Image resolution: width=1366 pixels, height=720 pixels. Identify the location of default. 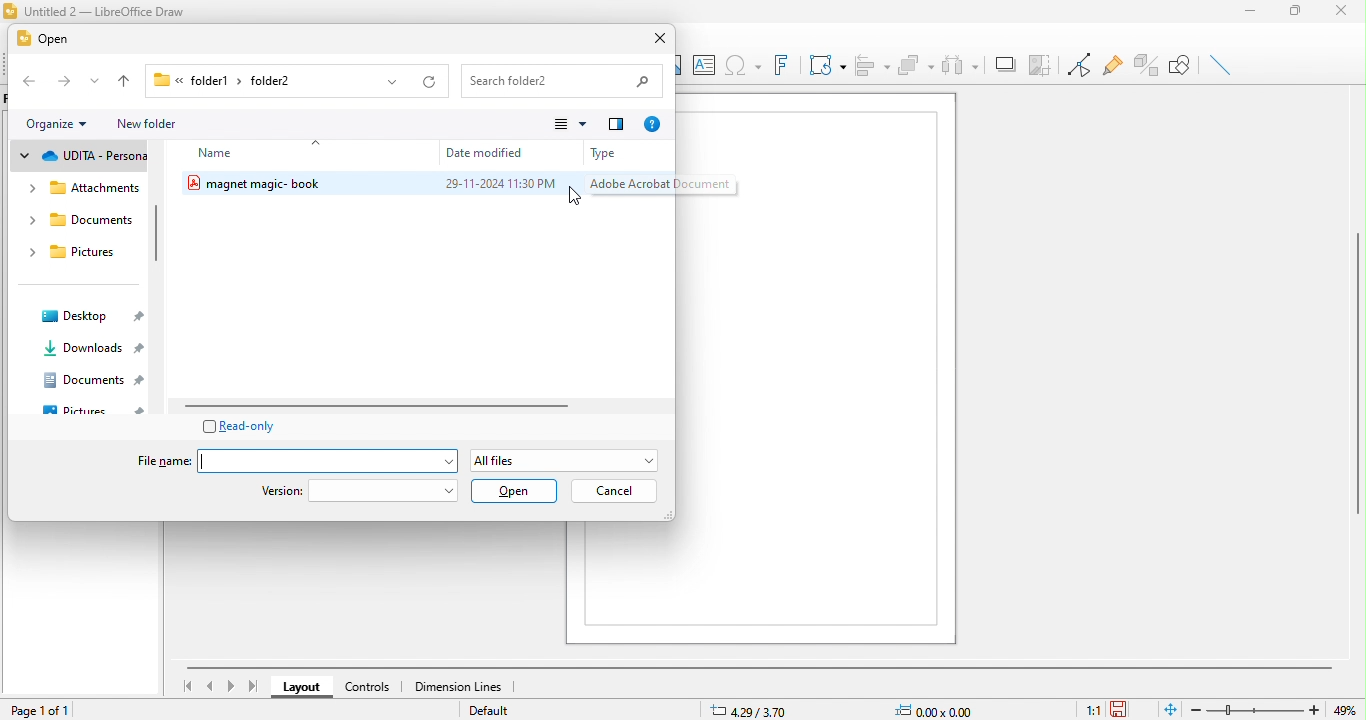
(501, 711).